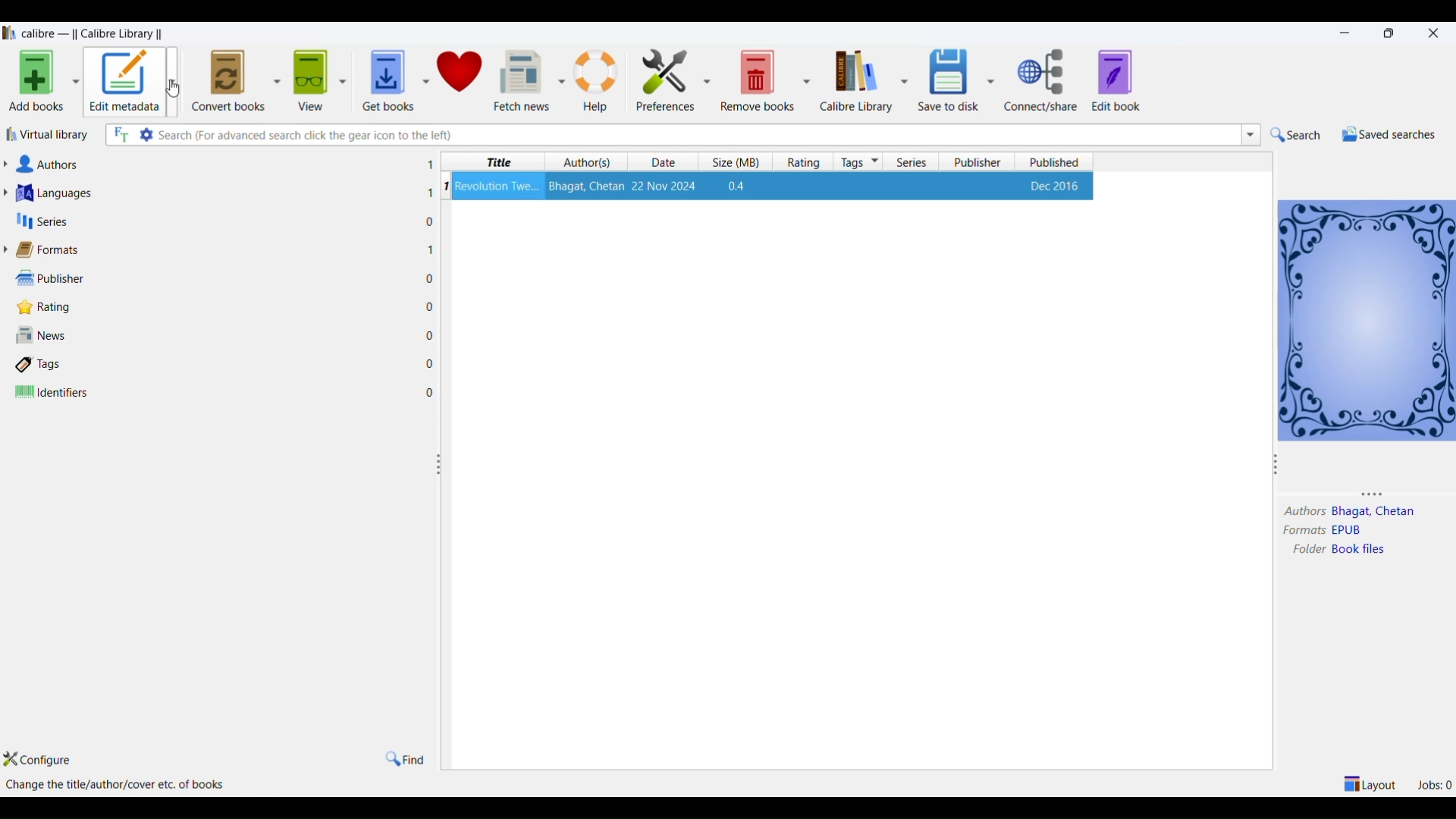  Describe the element at coordinates (1434, 783) in the screenshot. I see `jobs` at that location.